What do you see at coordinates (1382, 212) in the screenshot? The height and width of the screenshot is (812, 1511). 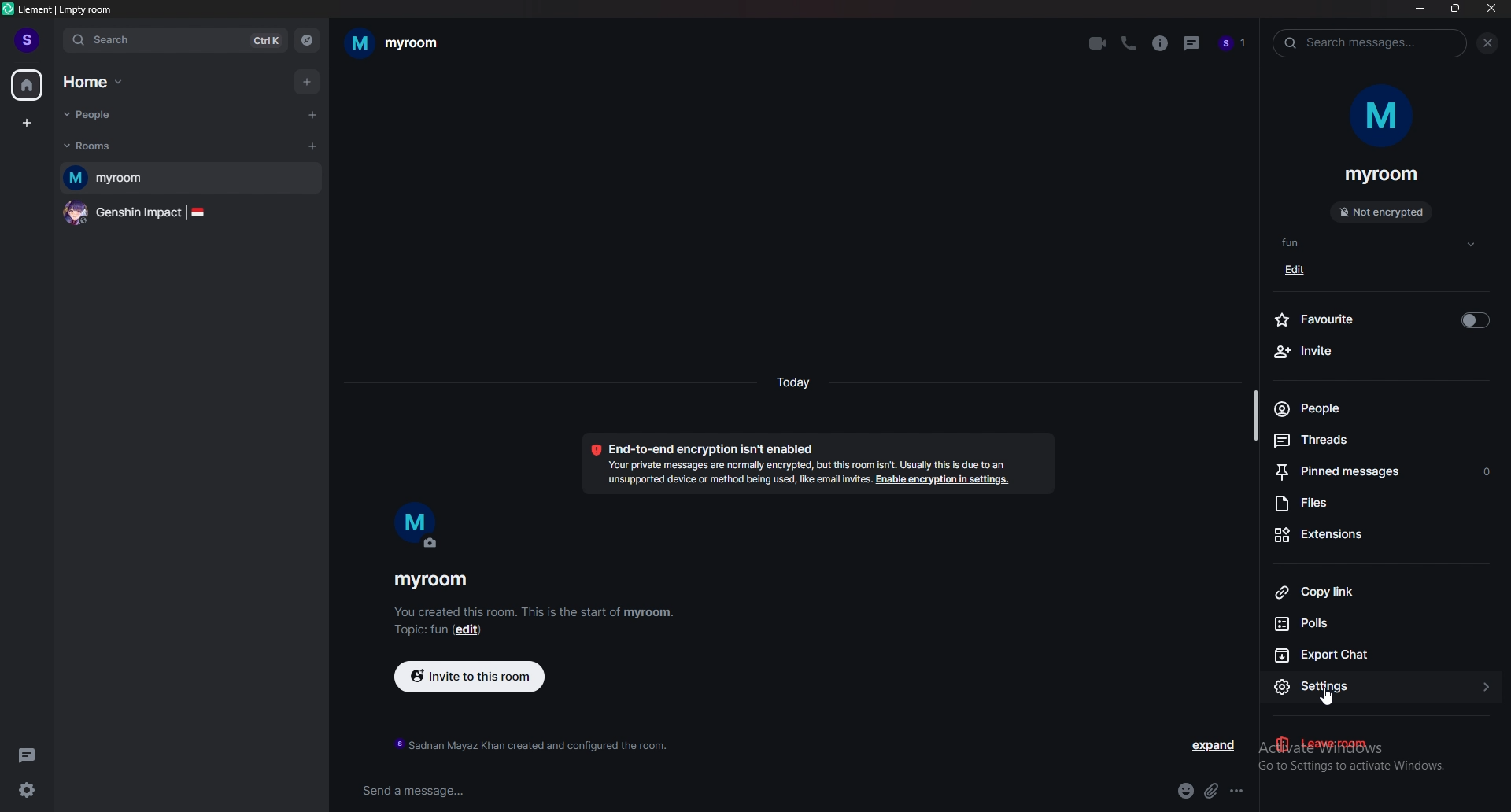 I see `not encrypted` at bounding box center [1382, 212].